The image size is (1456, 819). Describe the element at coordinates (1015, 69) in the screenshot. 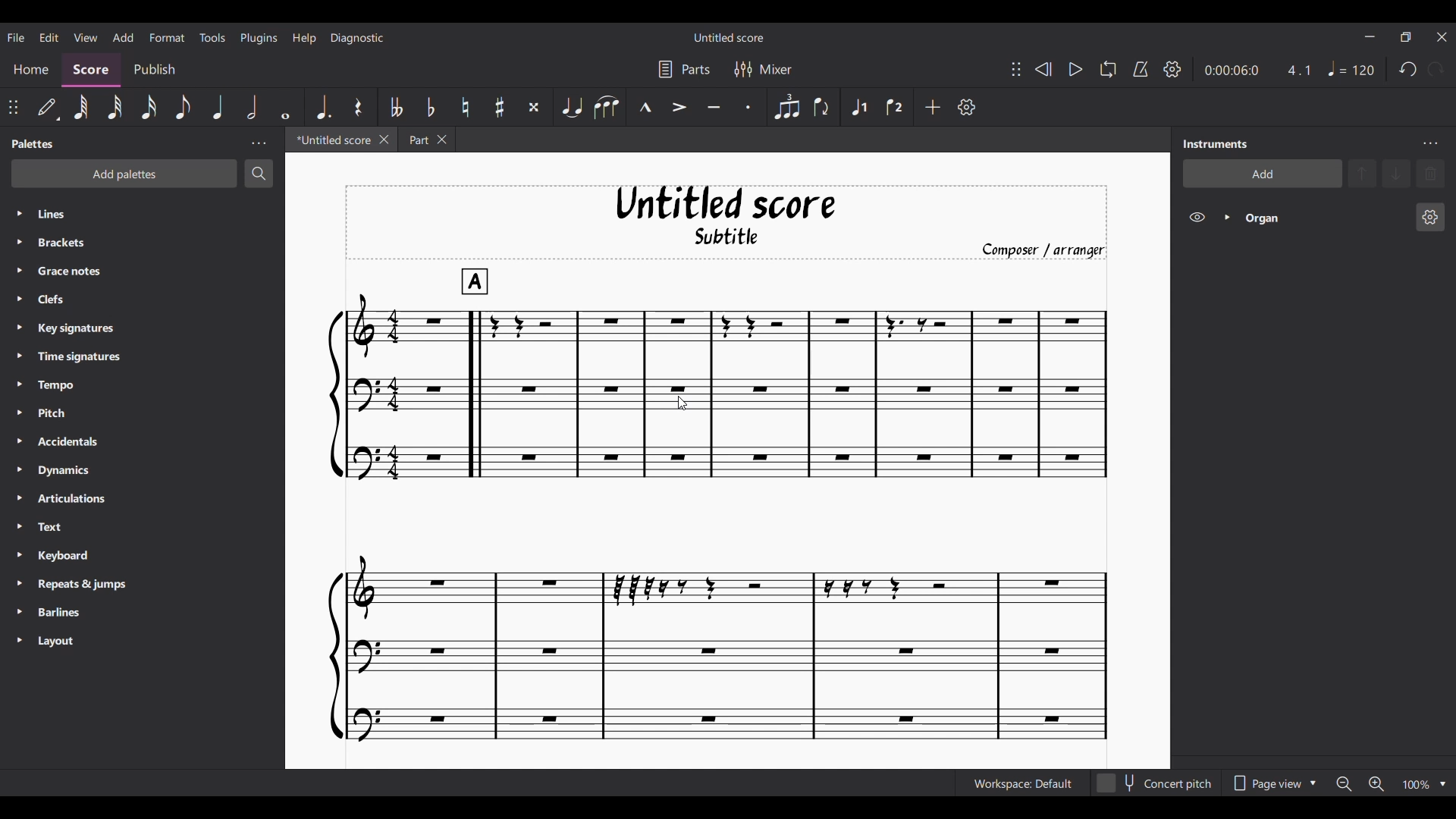

I see `Change position of toolbar` at that location.